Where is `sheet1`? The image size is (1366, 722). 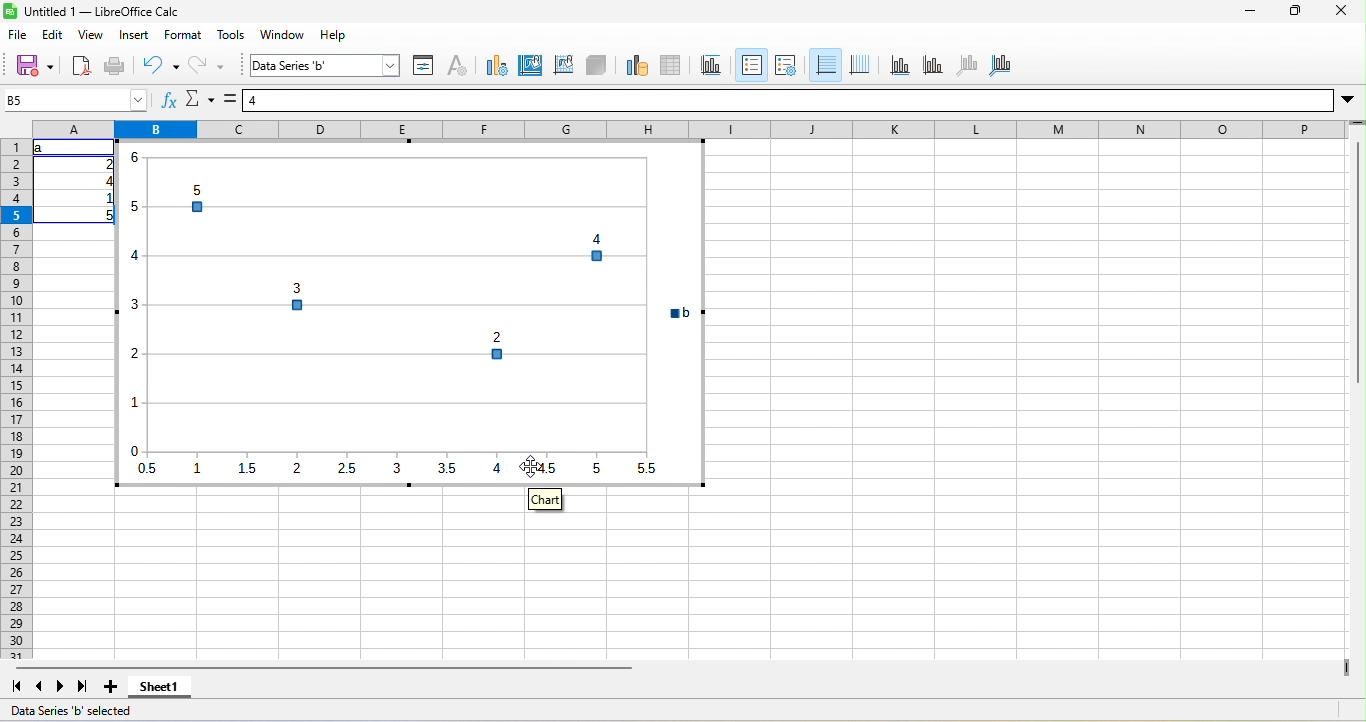 sheet1 is located at coordinates (160, 686).